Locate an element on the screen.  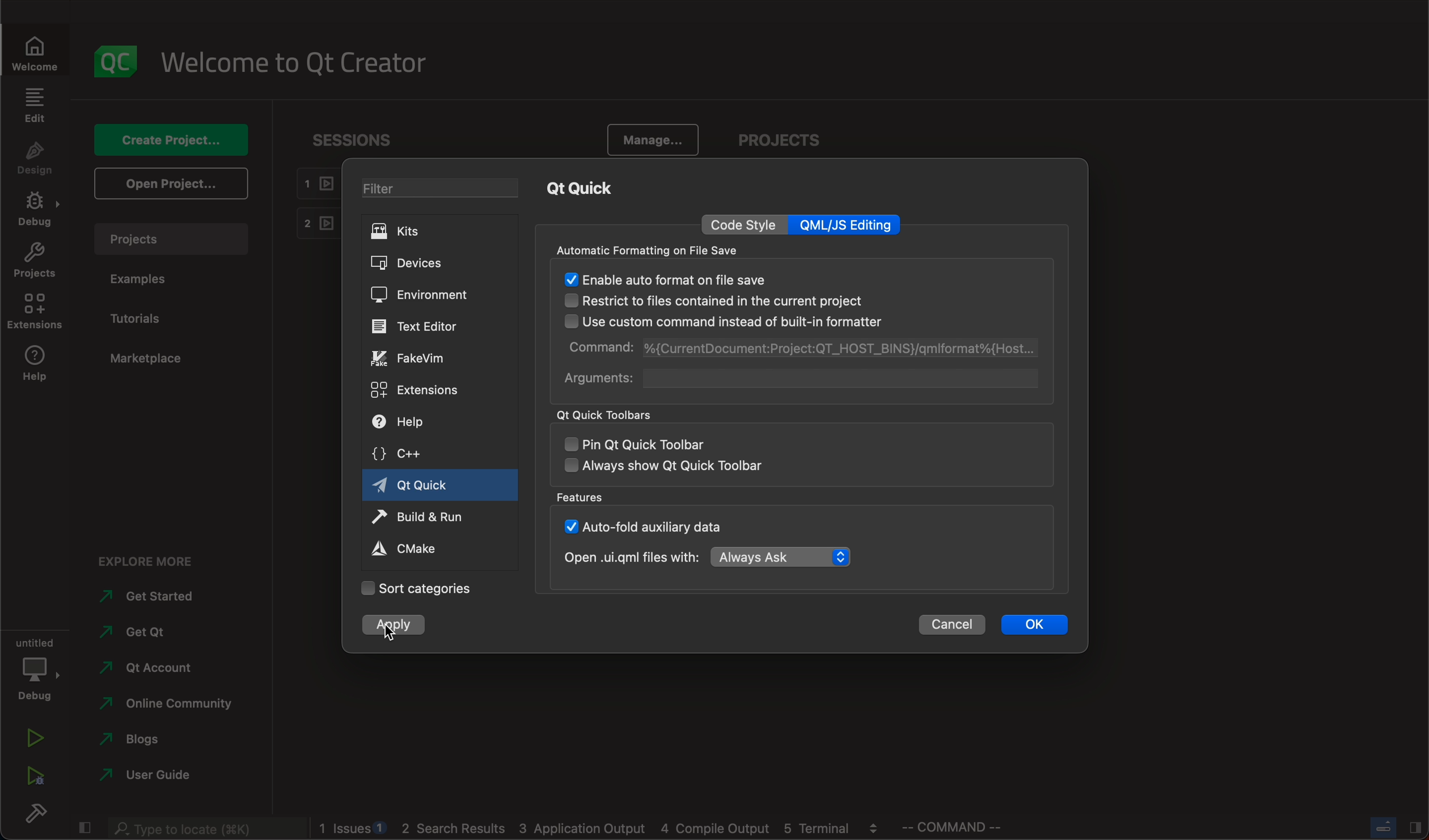
c++ is located at coordinates (410, 454).